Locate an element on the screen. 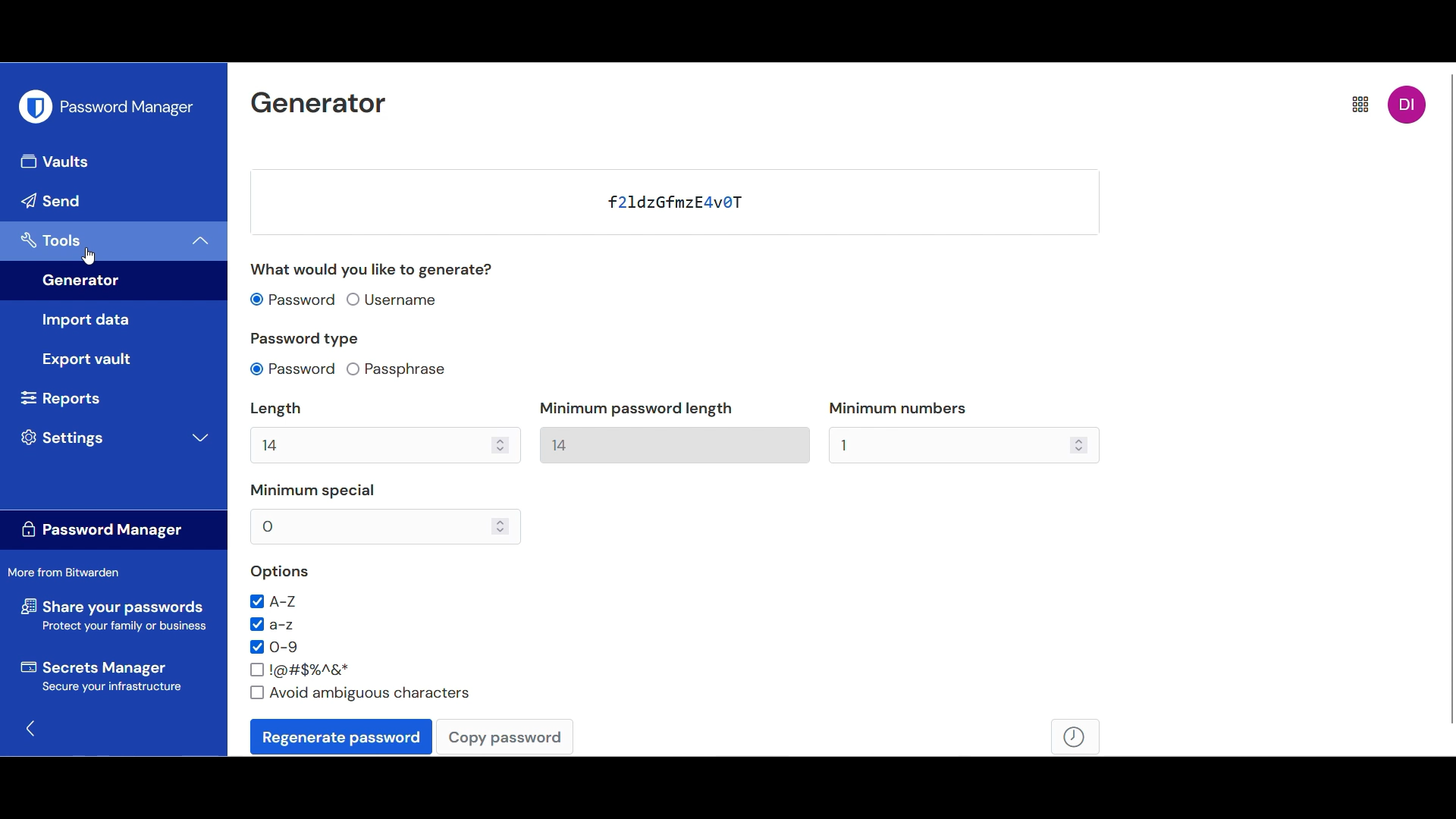  Copy password is located at coordinates (505, 737).